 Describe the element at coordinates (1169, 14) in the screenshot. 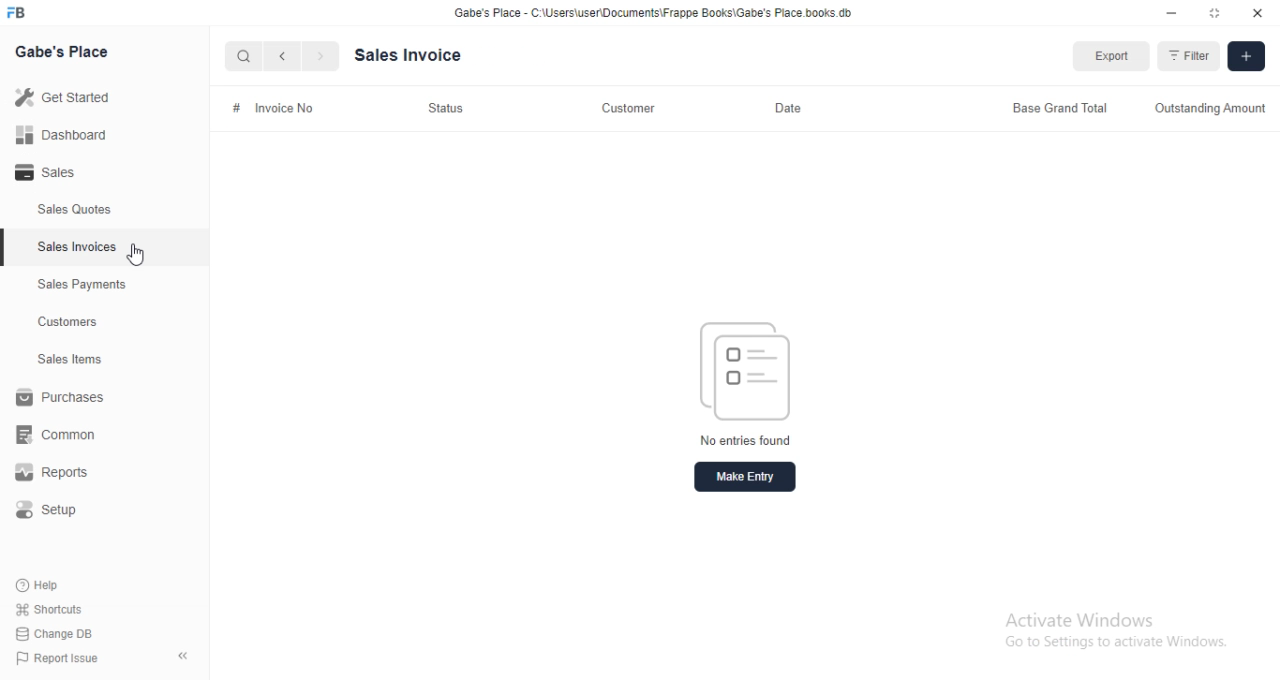

I see `Minimize` at that location.